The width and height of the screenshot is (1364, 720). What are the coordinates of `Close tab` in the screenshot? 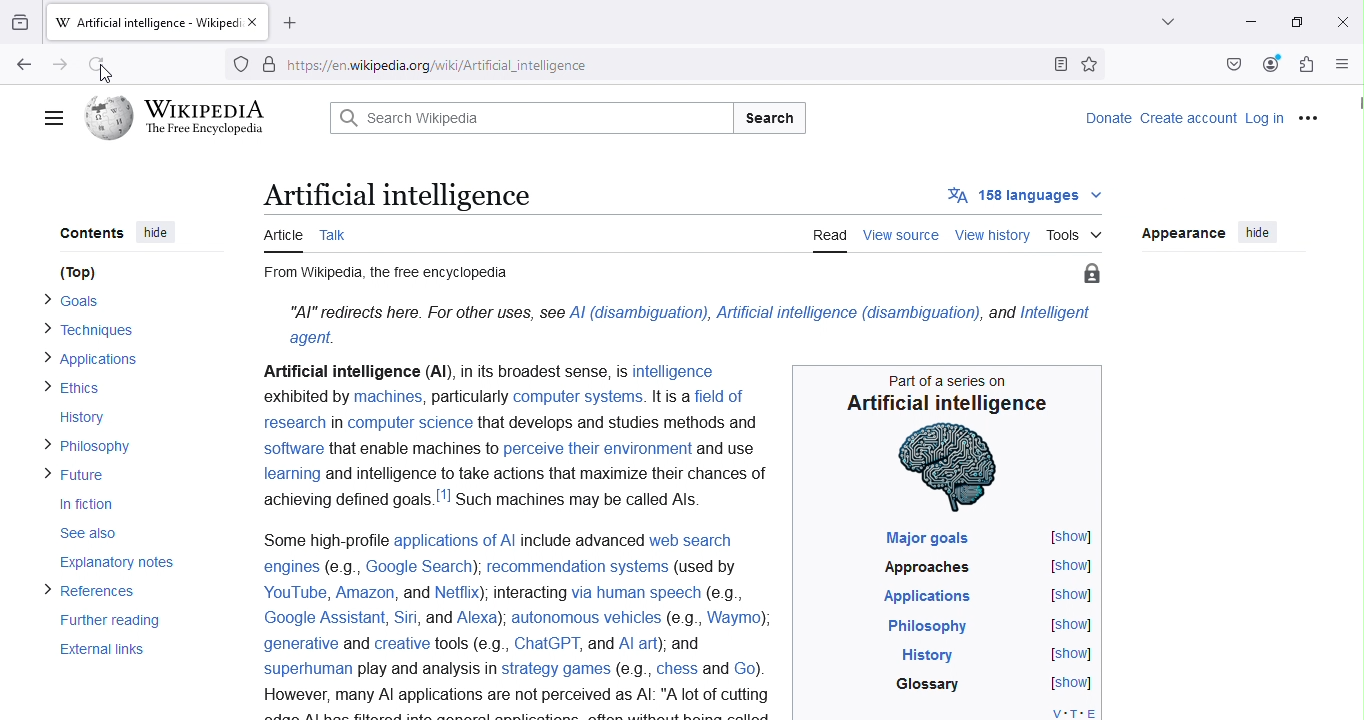 It's located at (254, 23).